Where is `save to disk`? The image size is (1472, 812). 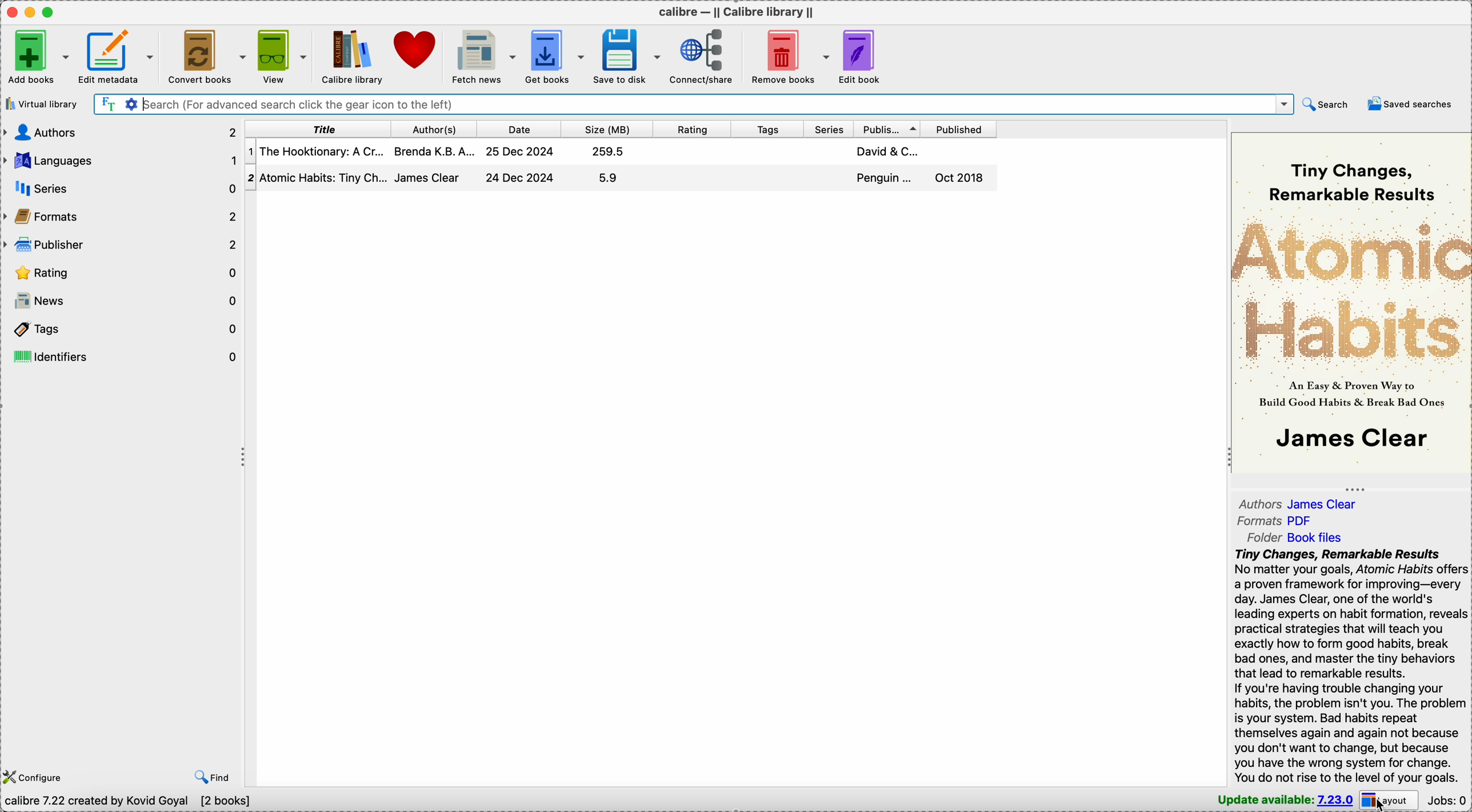
save to disk is located at coordinates (629, 55).